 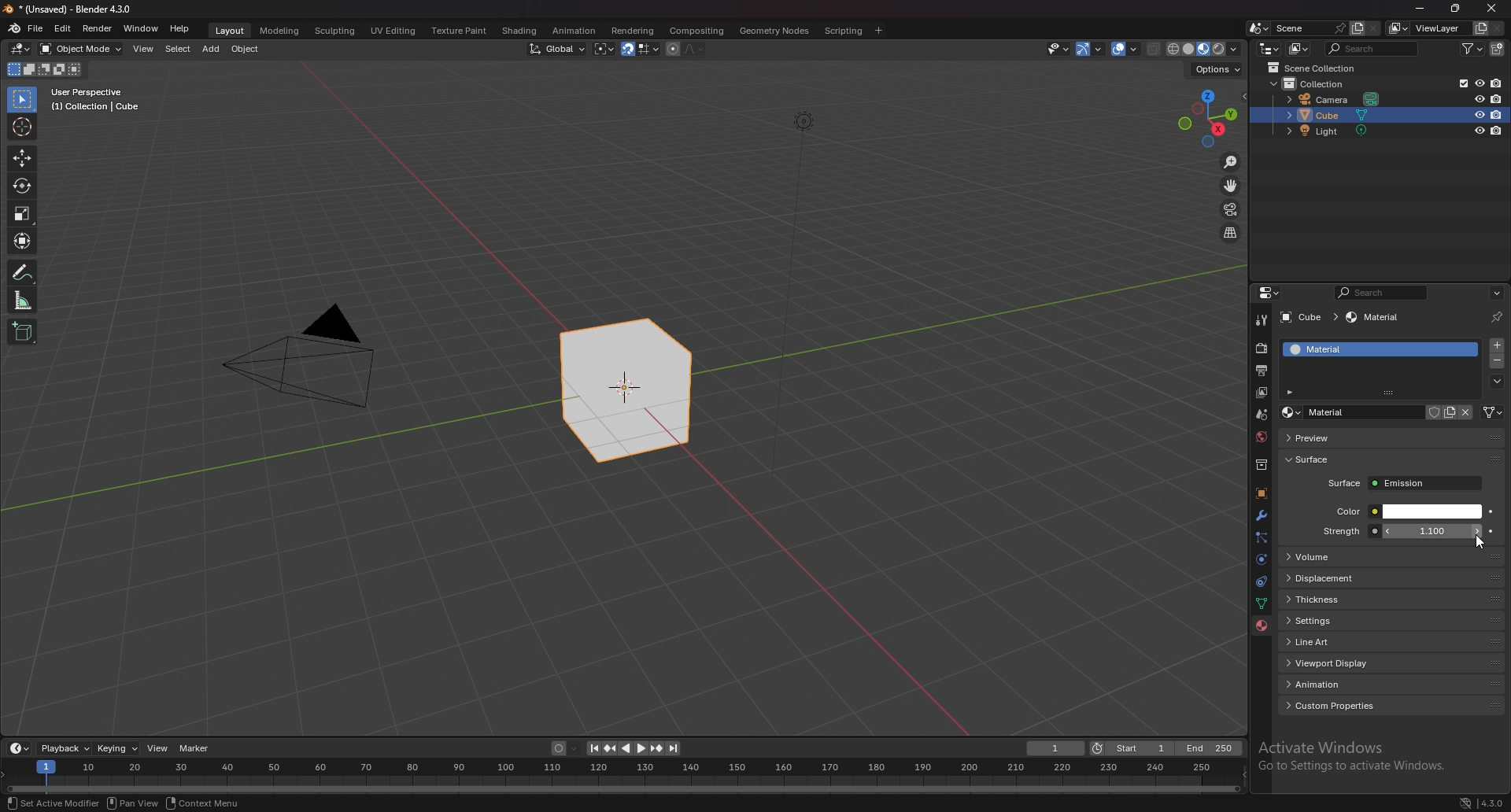 What do you see at coordinates (22, 186) in the screenshot?
I see `rotate` at bounding box center [22, 186].